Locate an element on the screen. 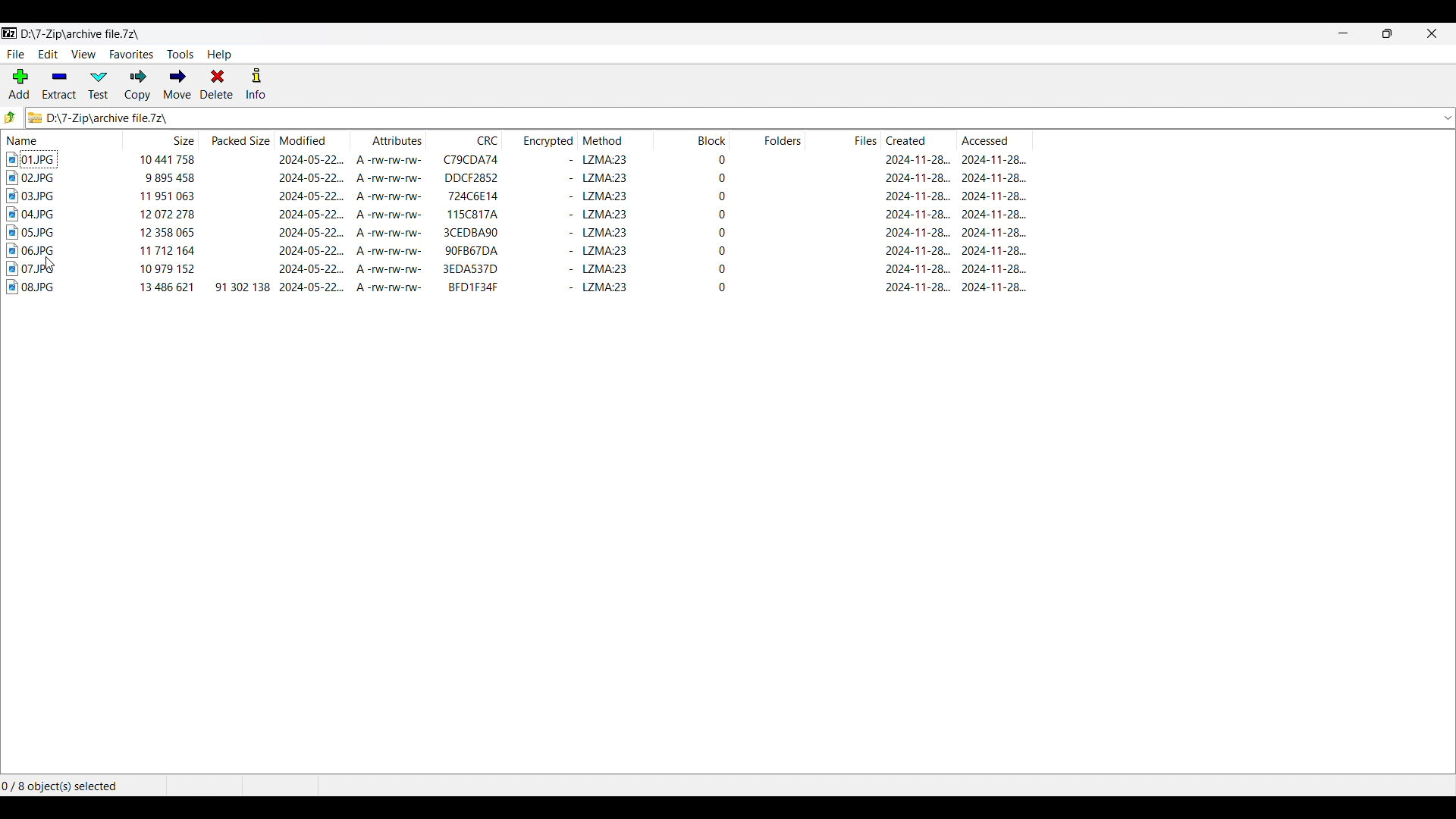 This screenshot has width=1456, height=819. modified date & time is located at coordinates (311, 159).